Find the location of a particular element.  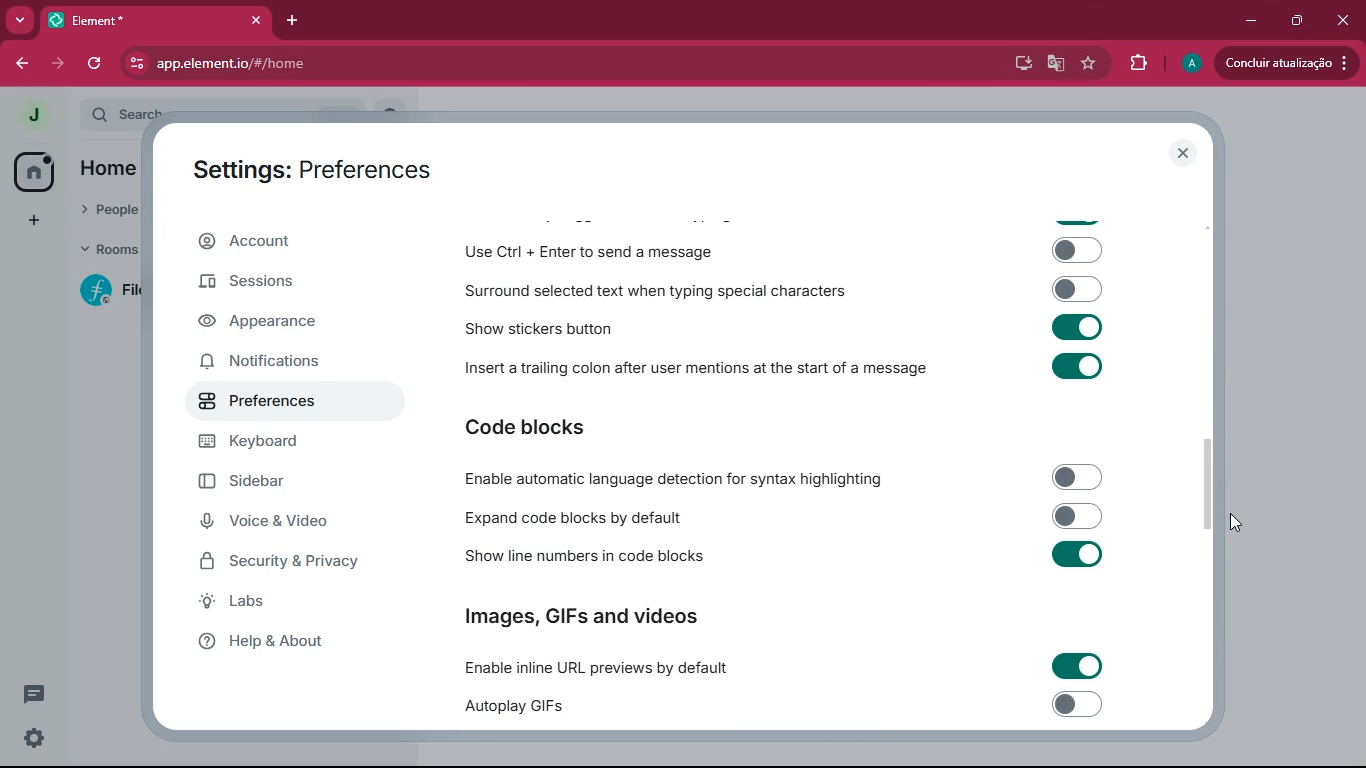

preferences is located at coordinates (268, 404).